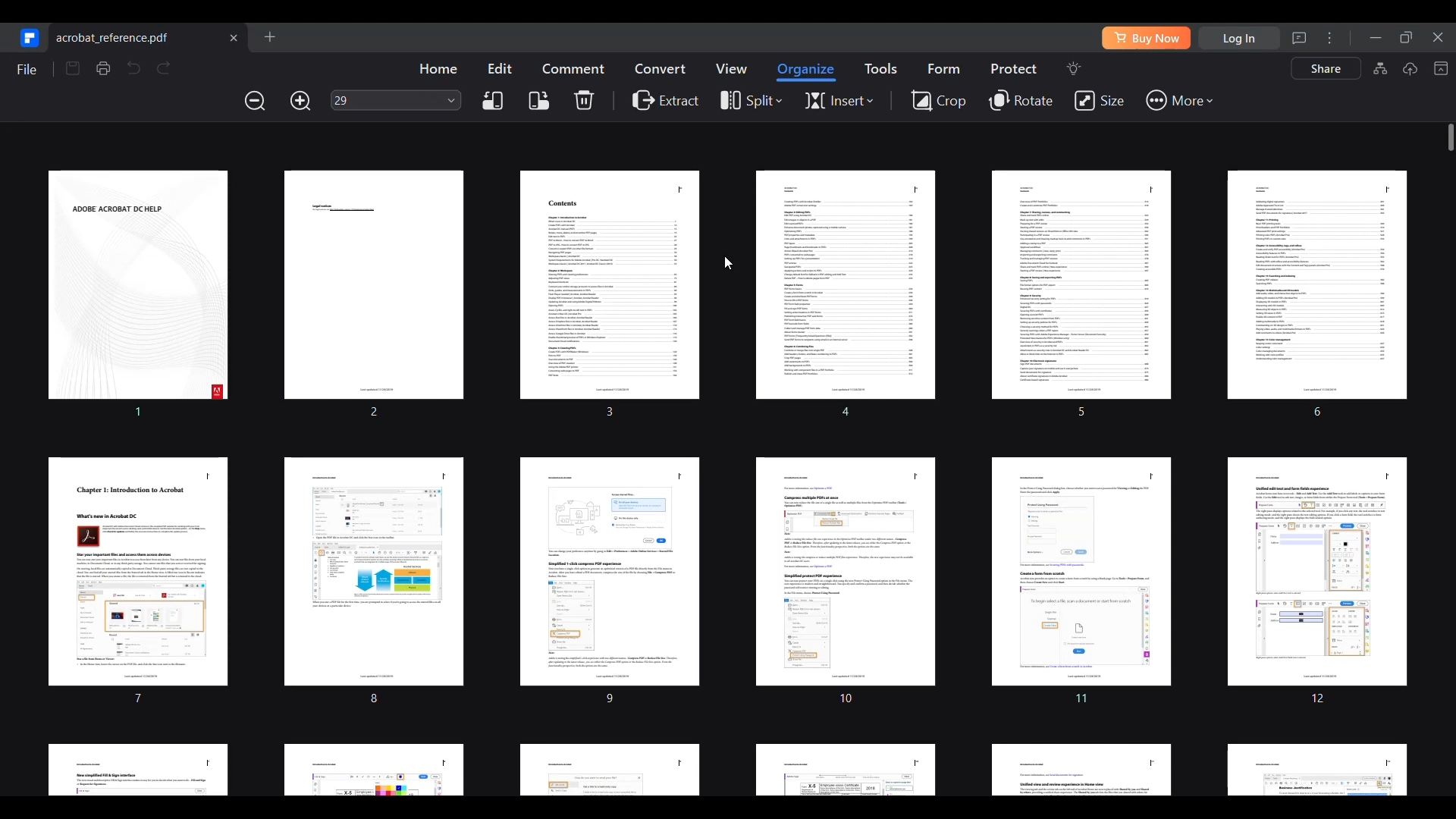  What do you see at coordinates (27, 37) in the screenshot?
I see `Go to start page` at bounding box center [27, 37].